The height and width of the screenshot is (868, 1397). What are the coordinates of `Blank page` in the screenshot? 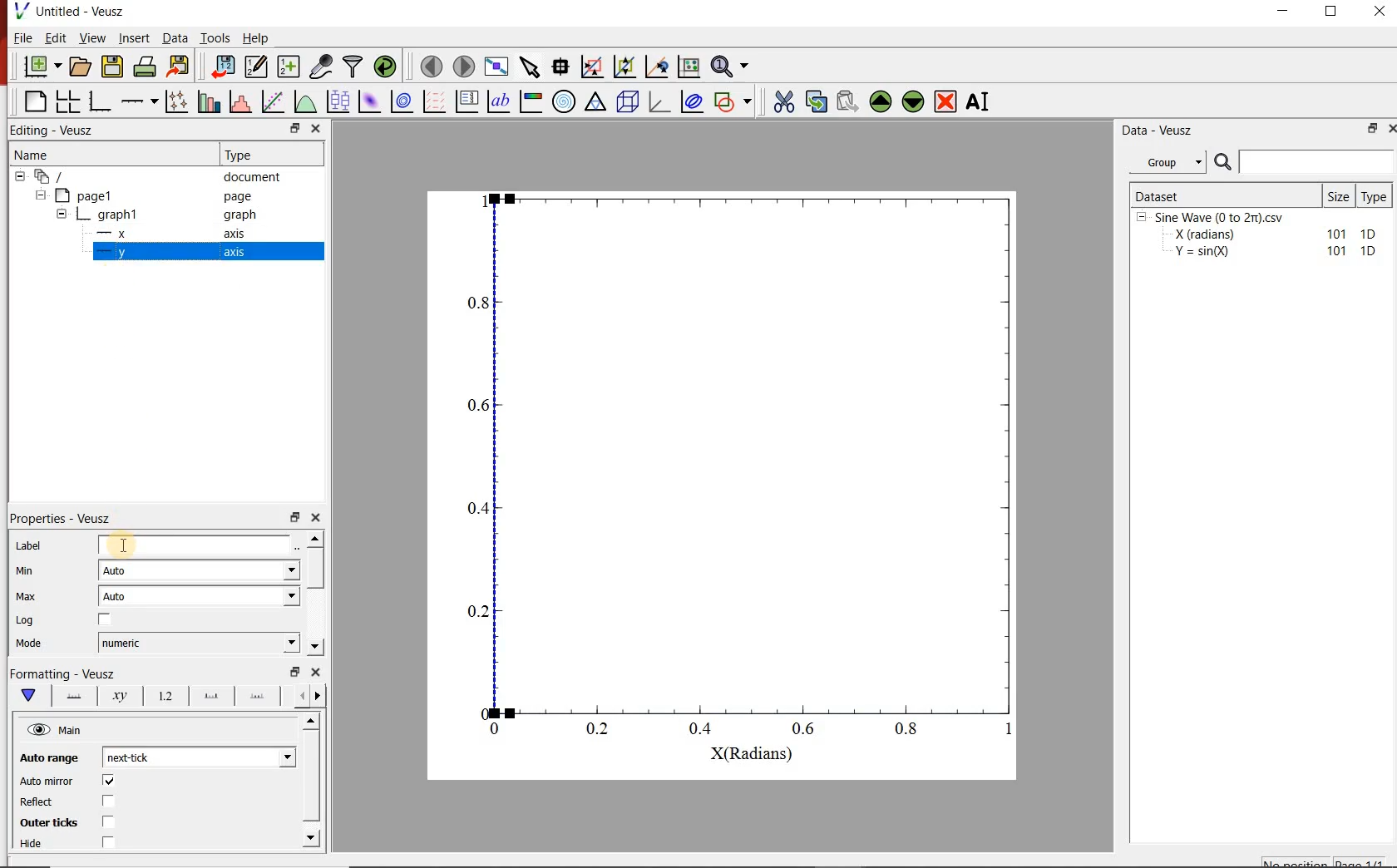 It's located at (35, 101).